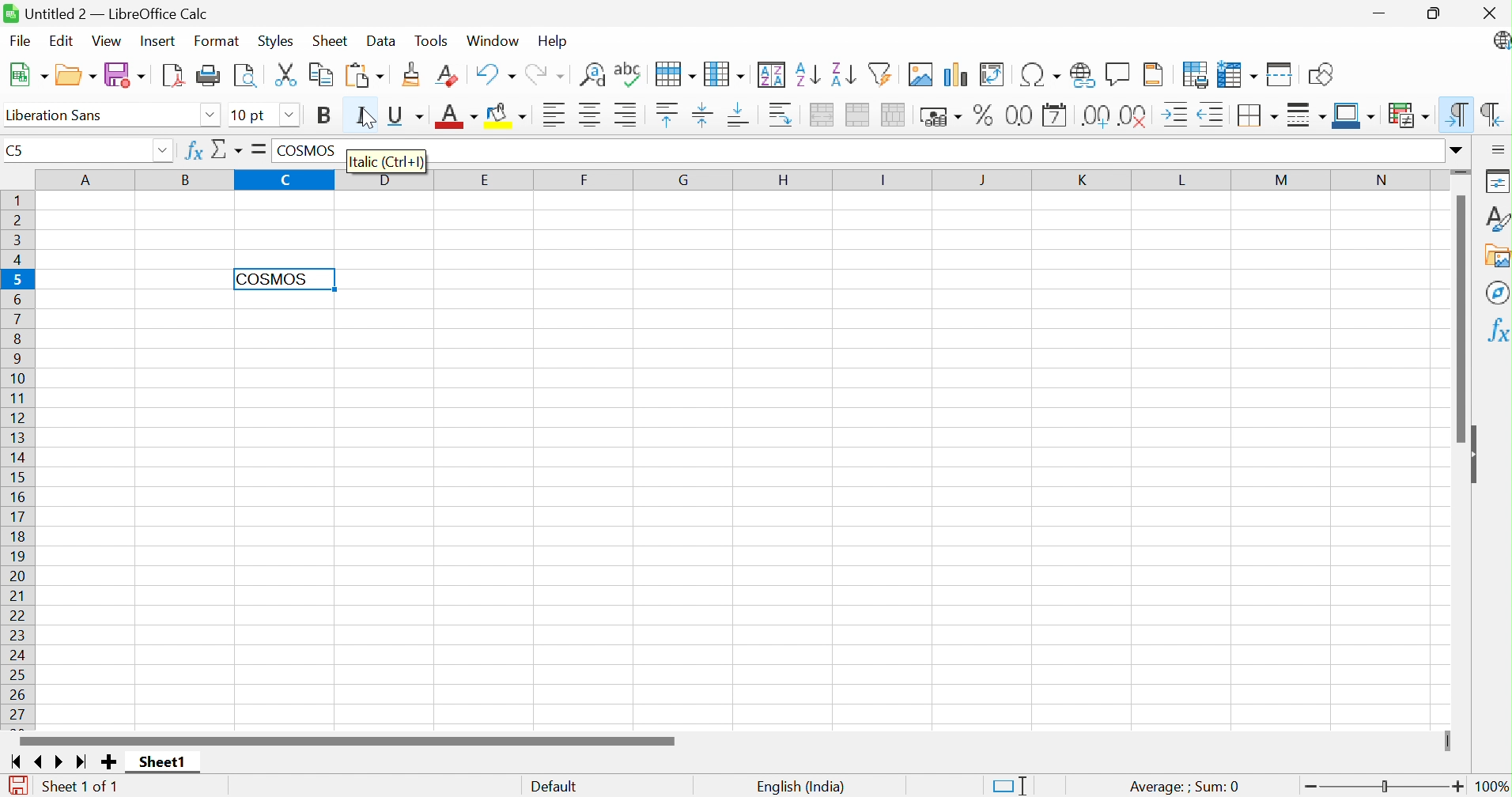 Image resolution: width=1512 pixels, height=797 pixels. Describe the element at coordinates (127, 74) in the screenshot. I see `Save` at that location.